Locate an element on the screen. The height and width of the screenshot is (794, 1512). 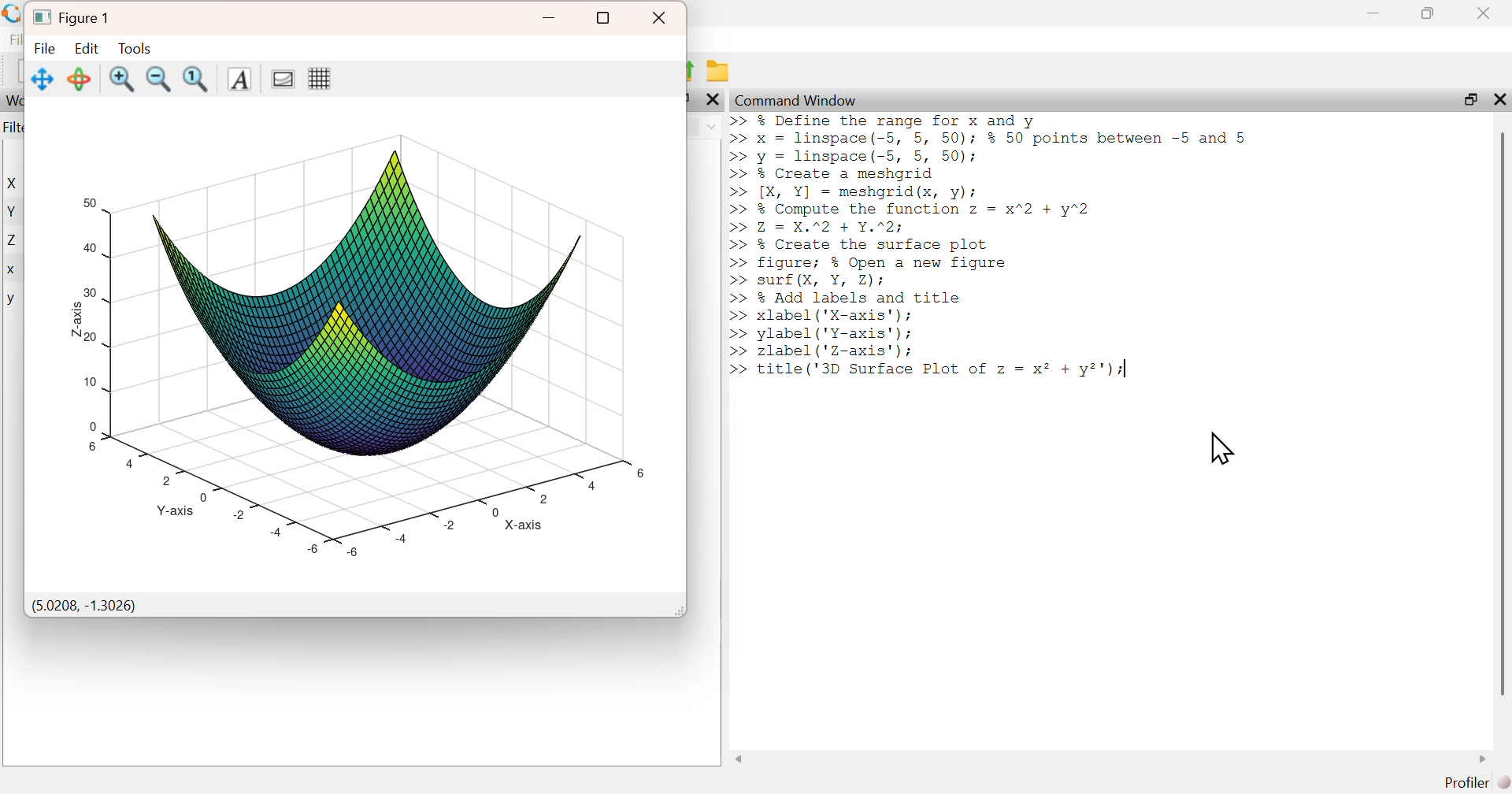
close is located at coordinates (661, 18).